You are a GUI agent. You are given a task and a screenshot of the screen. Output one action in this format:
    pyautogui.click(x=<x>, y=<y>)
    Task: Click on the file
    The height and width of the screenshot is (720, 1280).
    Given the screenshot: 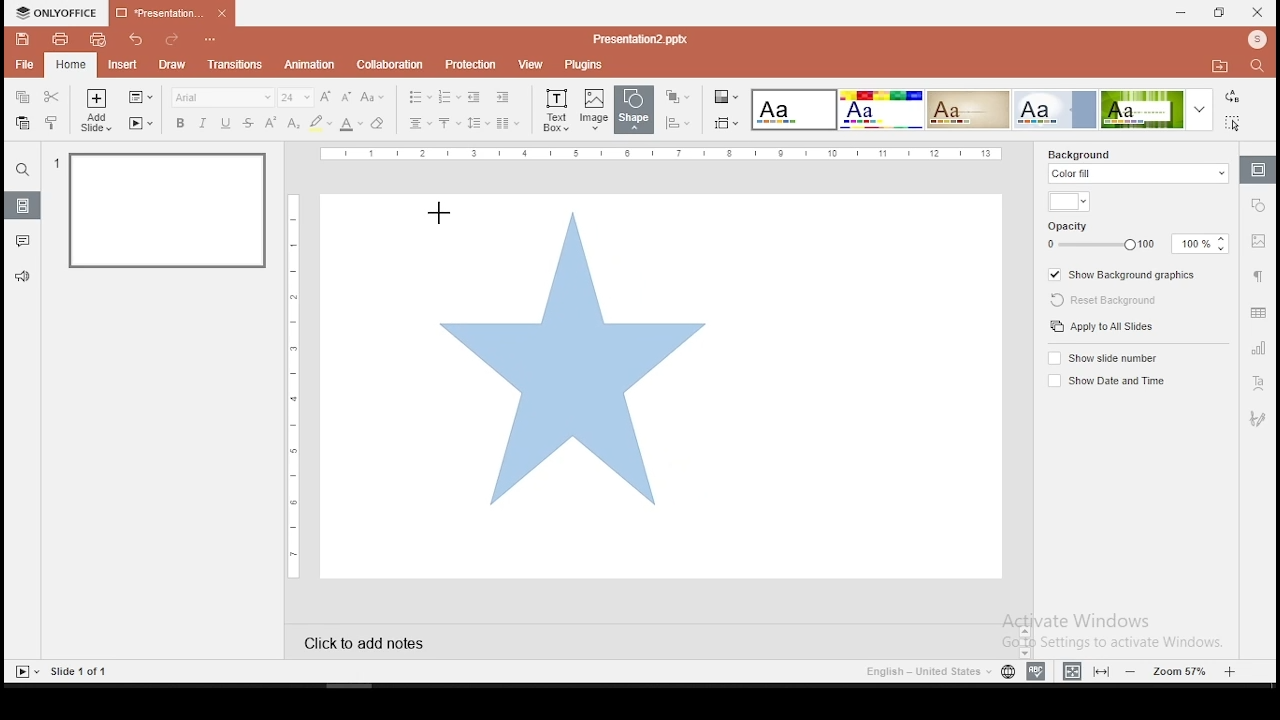 What is the action you would take?
    pyautogui.click(x=26, y=64)
    